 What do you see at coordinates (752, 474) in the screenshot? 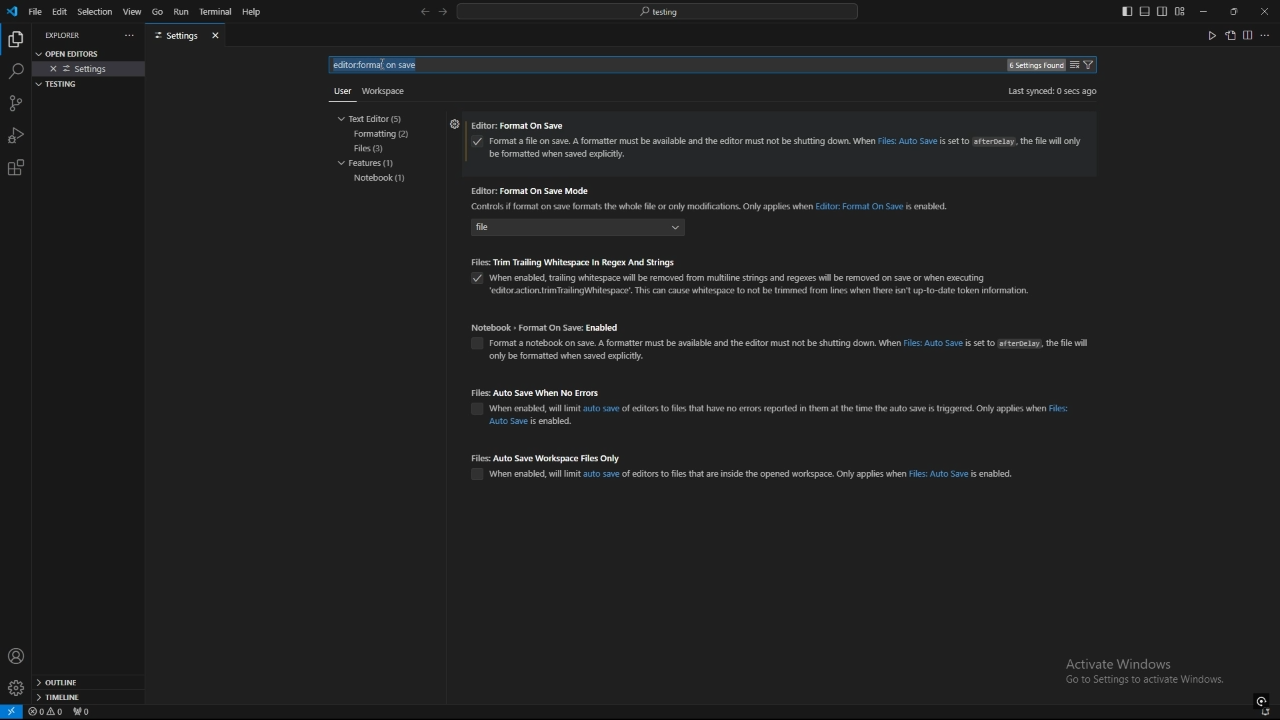
I see `files auto save workspace files only informations` at bounding box center [752, 474].